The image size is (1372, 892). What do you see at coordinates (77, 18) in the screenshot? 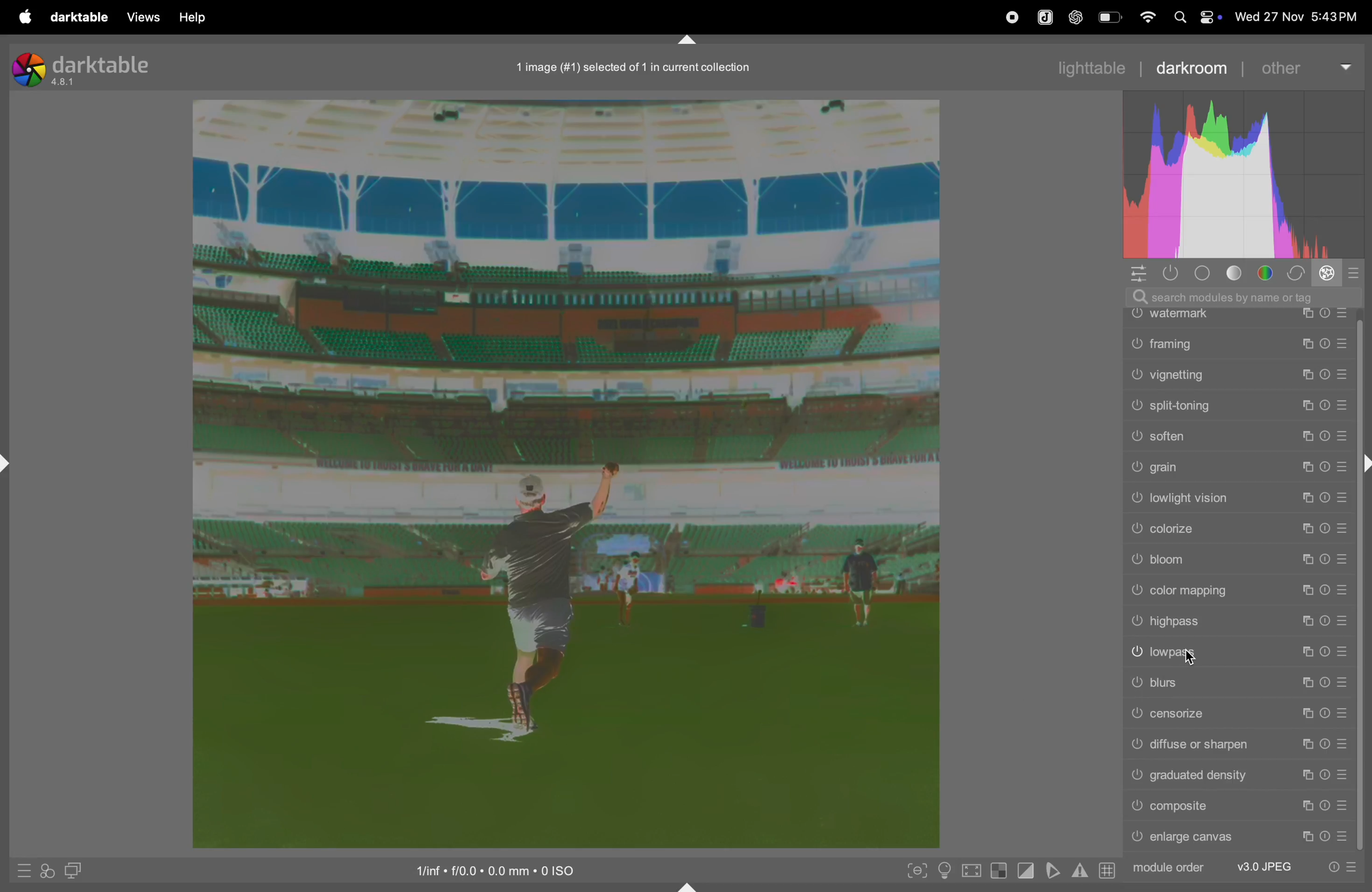
I see `darltable` at bounding box center [77, 18].